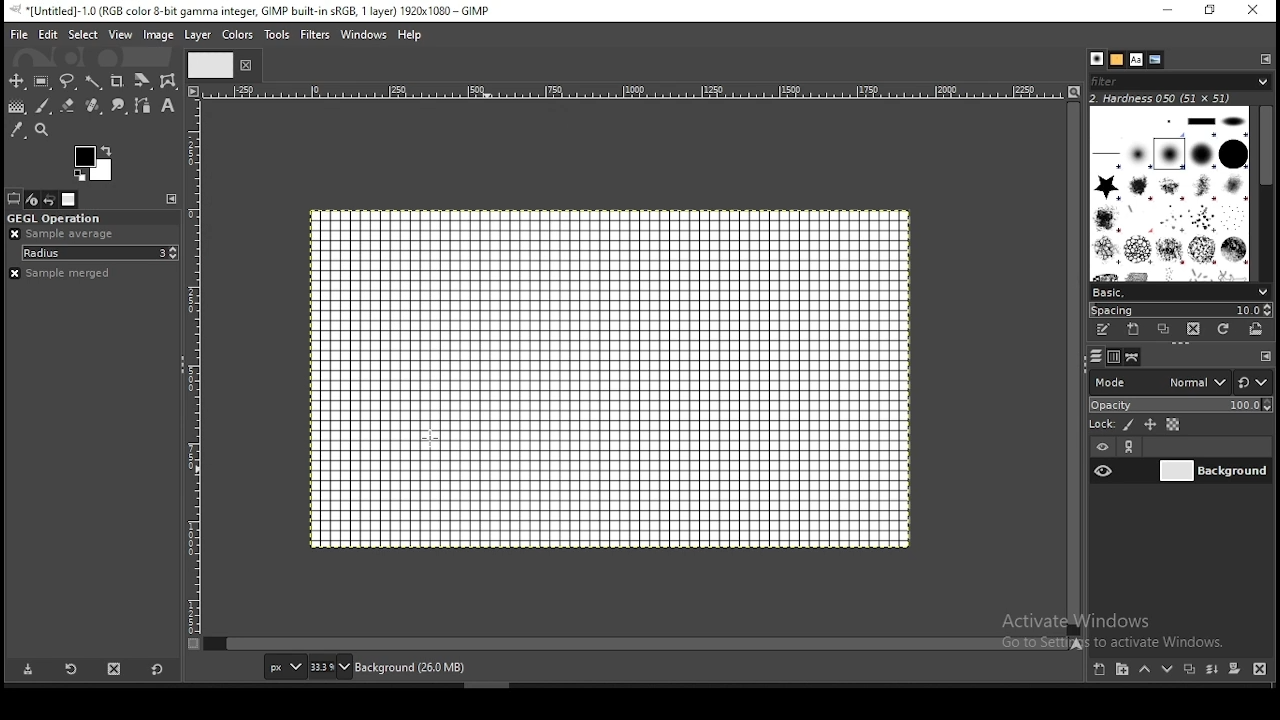 This screenshot has width=1280, height=720. I want to click on paths, so click(1136, 358).